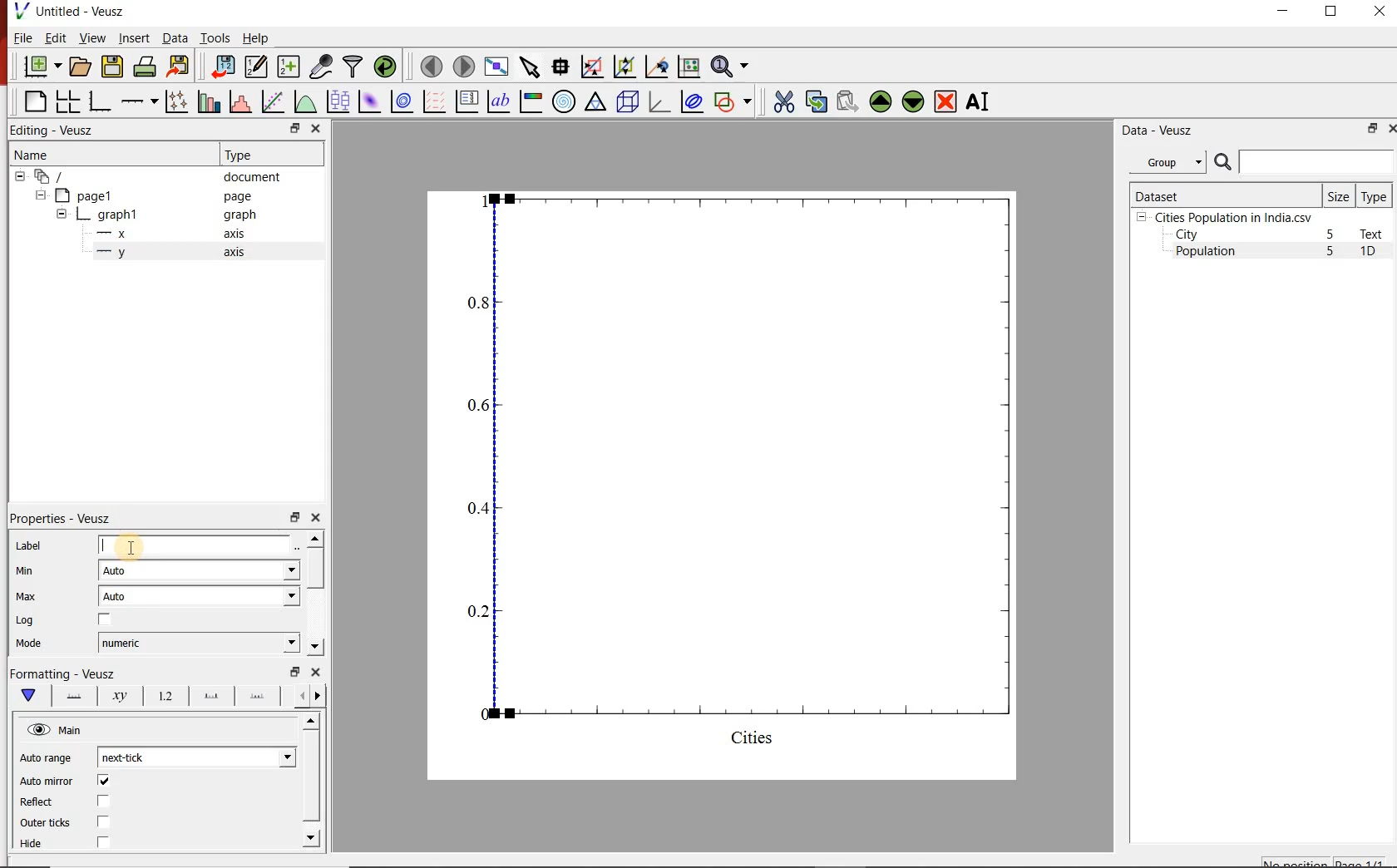 This screenshot has width=1397, height=868. Describe the element at coordinates (429, 65) in the screenshot. I see `move to the previous page` at that location.